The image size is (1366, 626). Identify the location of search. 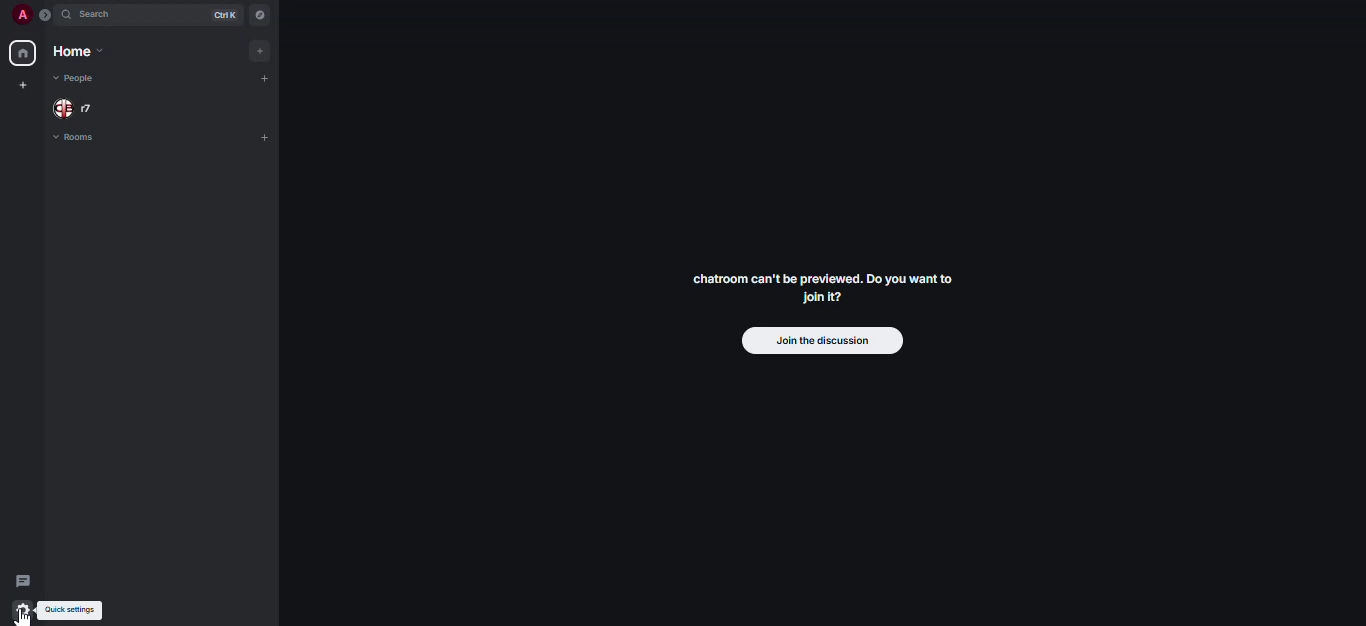
(100, 16).